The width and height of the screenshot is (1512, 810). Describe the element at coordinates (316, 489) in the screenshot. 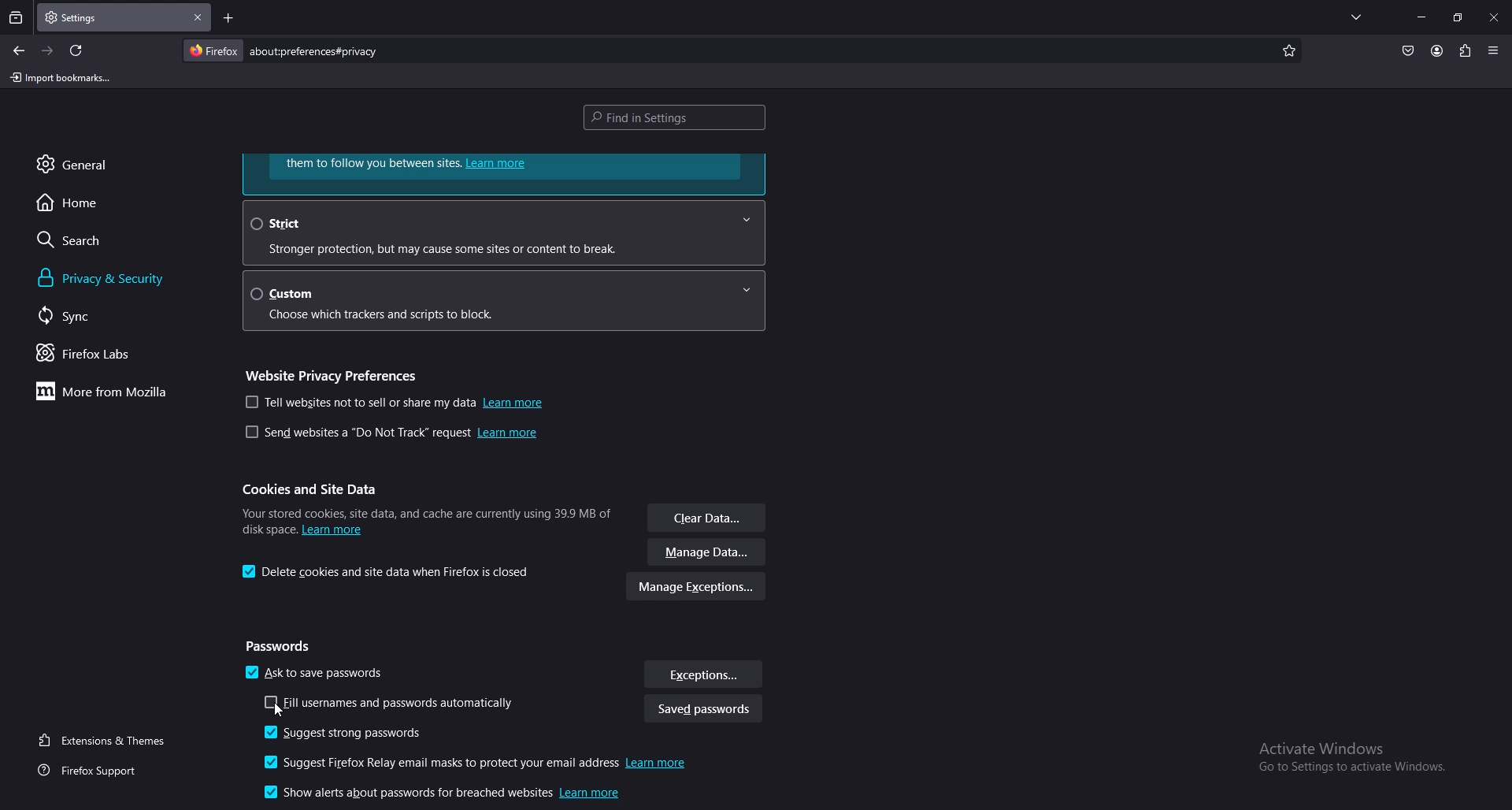

I see `cookies and site data` at that location.